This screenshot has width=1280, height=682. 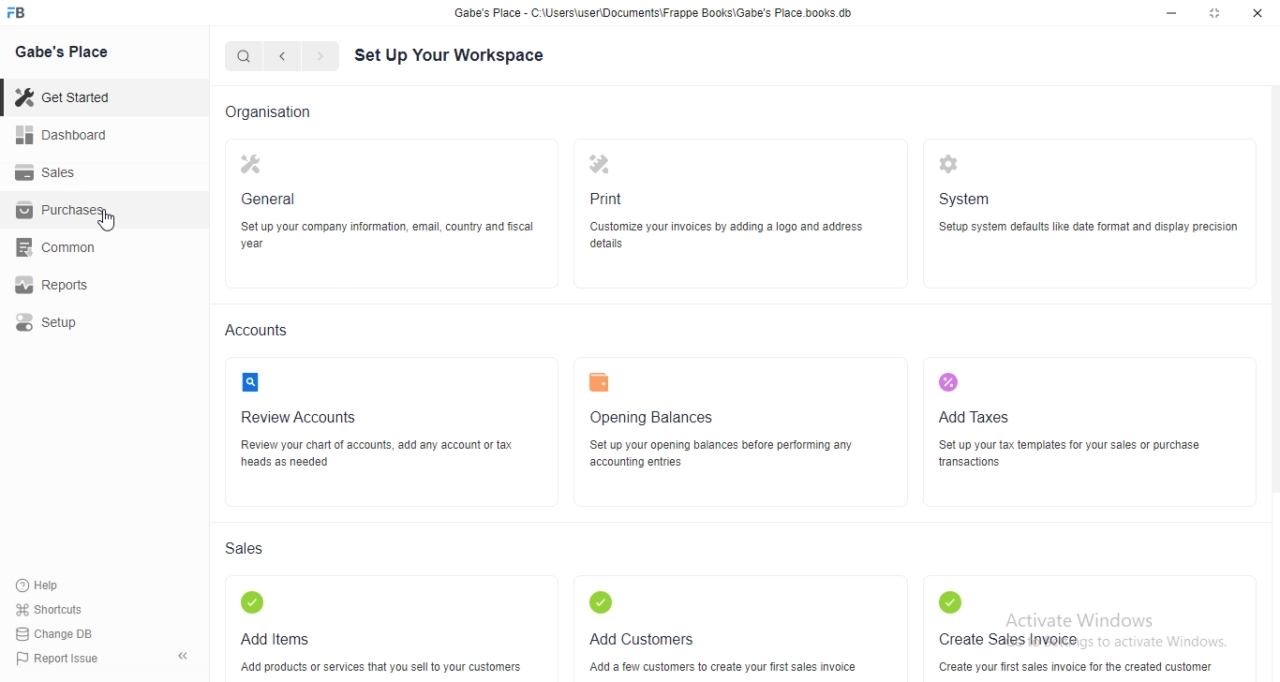 What do you see at coordinates (50, 609) in the screenshot?
I see `Shortcuts` at bounding box center [50, 609].